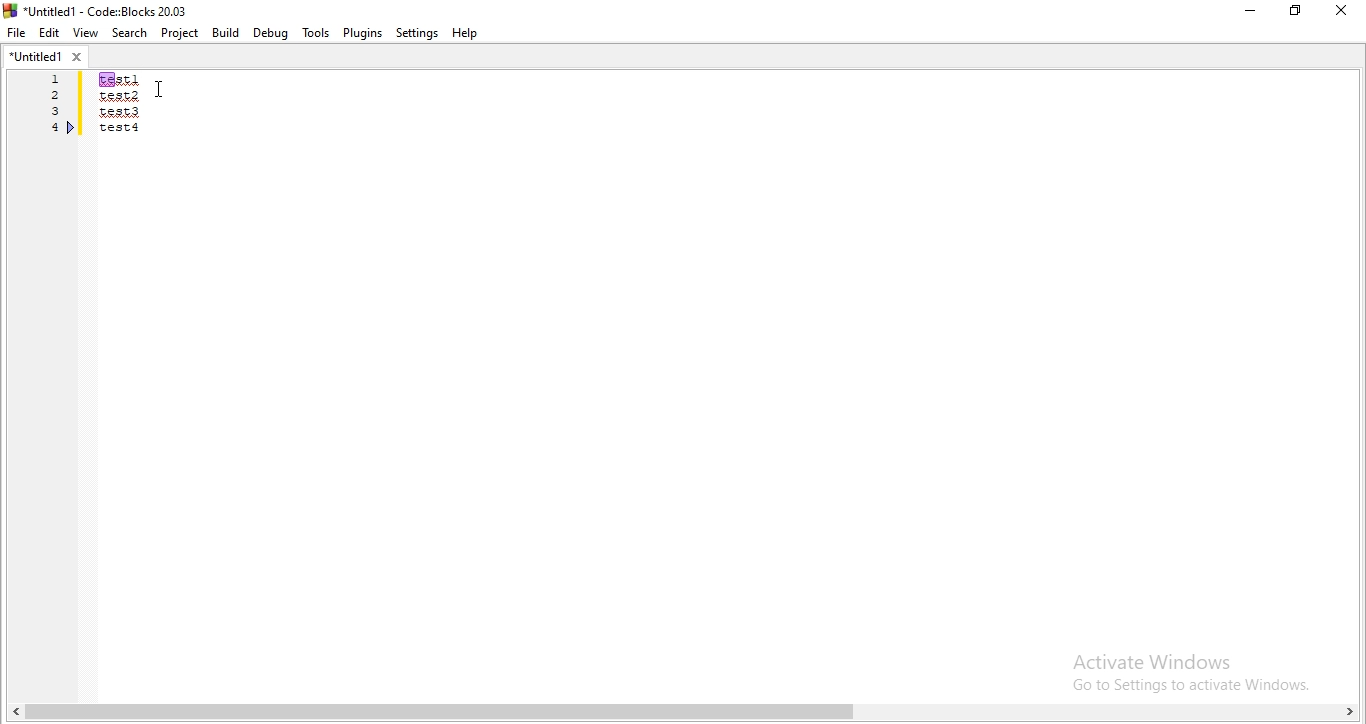 The height and width of the screenshot is (724, 1366). I want to click on View , so click(85, 33).